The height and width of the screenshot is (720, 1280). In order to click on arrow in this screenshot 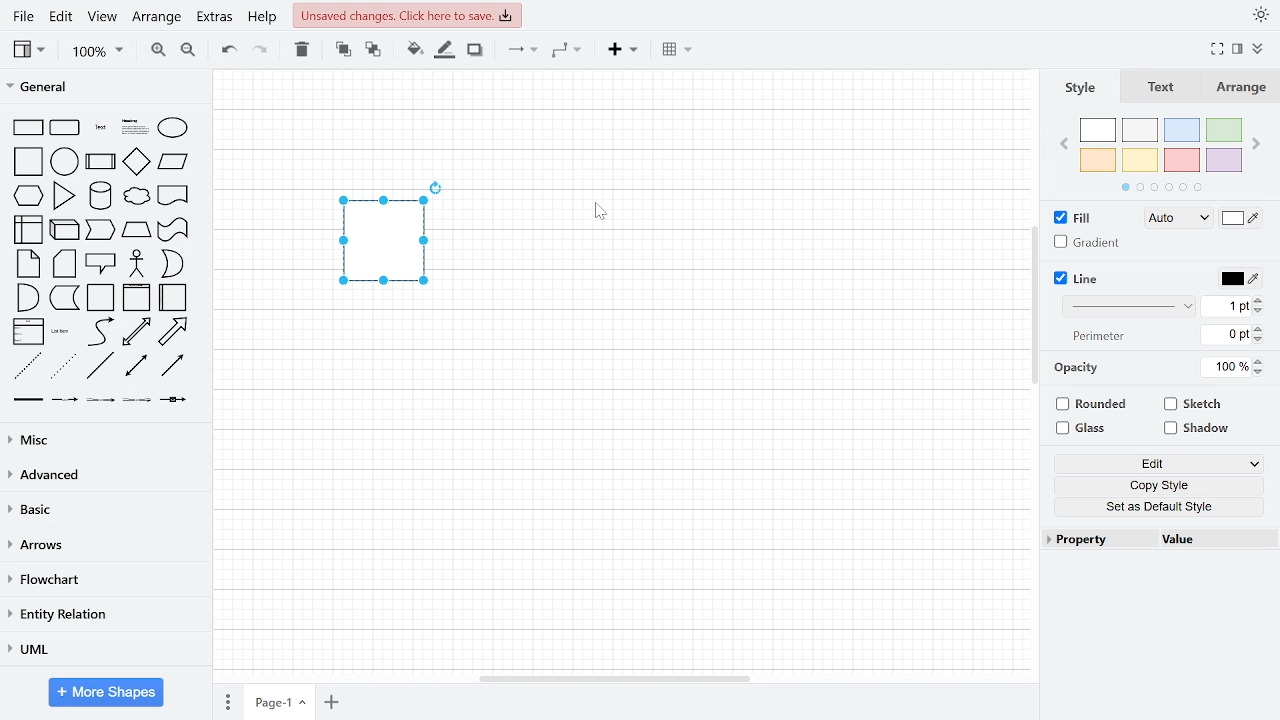, I will do `click(174, 330)`.